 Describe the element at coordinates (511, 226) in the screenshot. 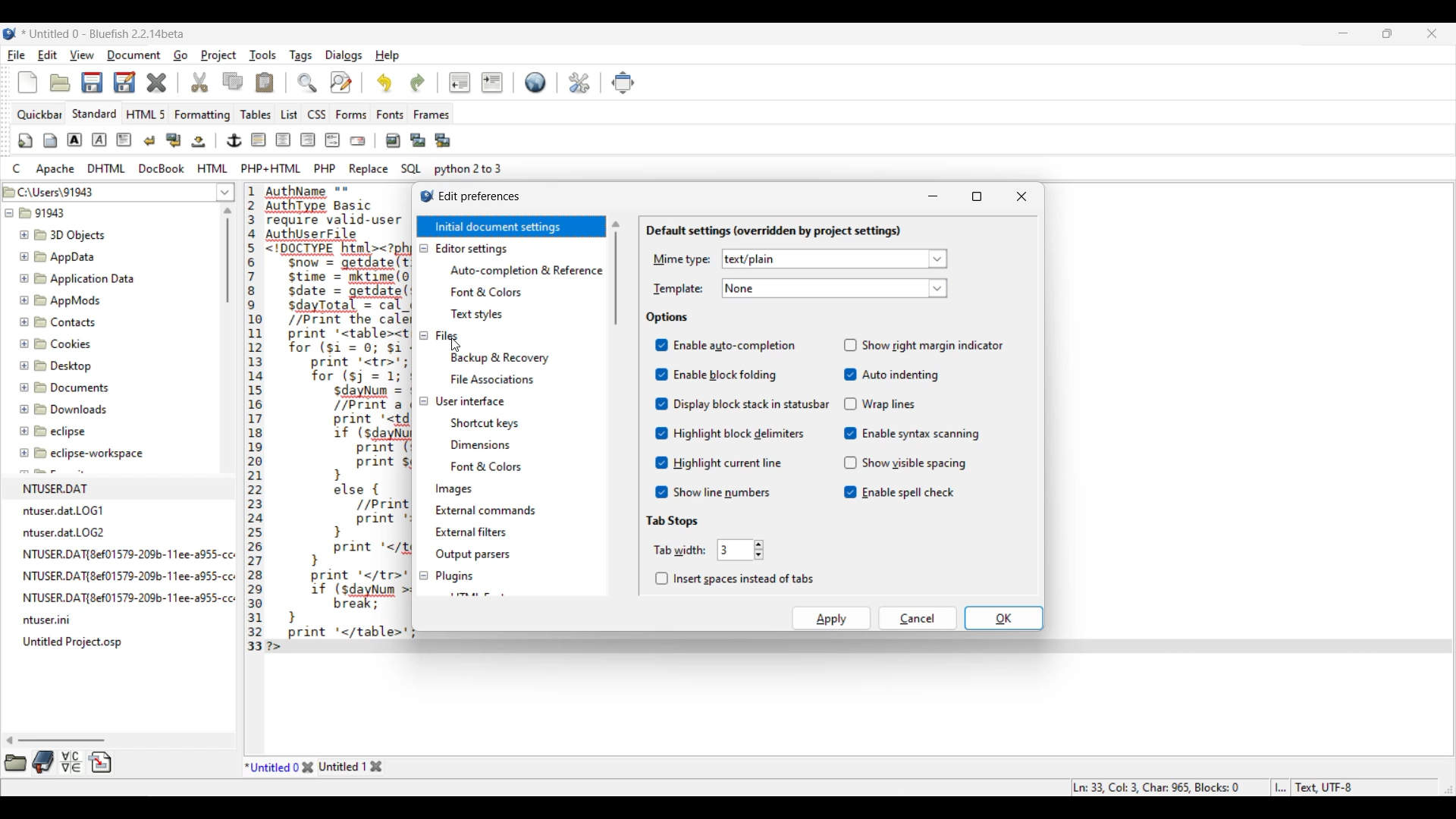

I see `Initial document settings, current selection highlighted` at that location.